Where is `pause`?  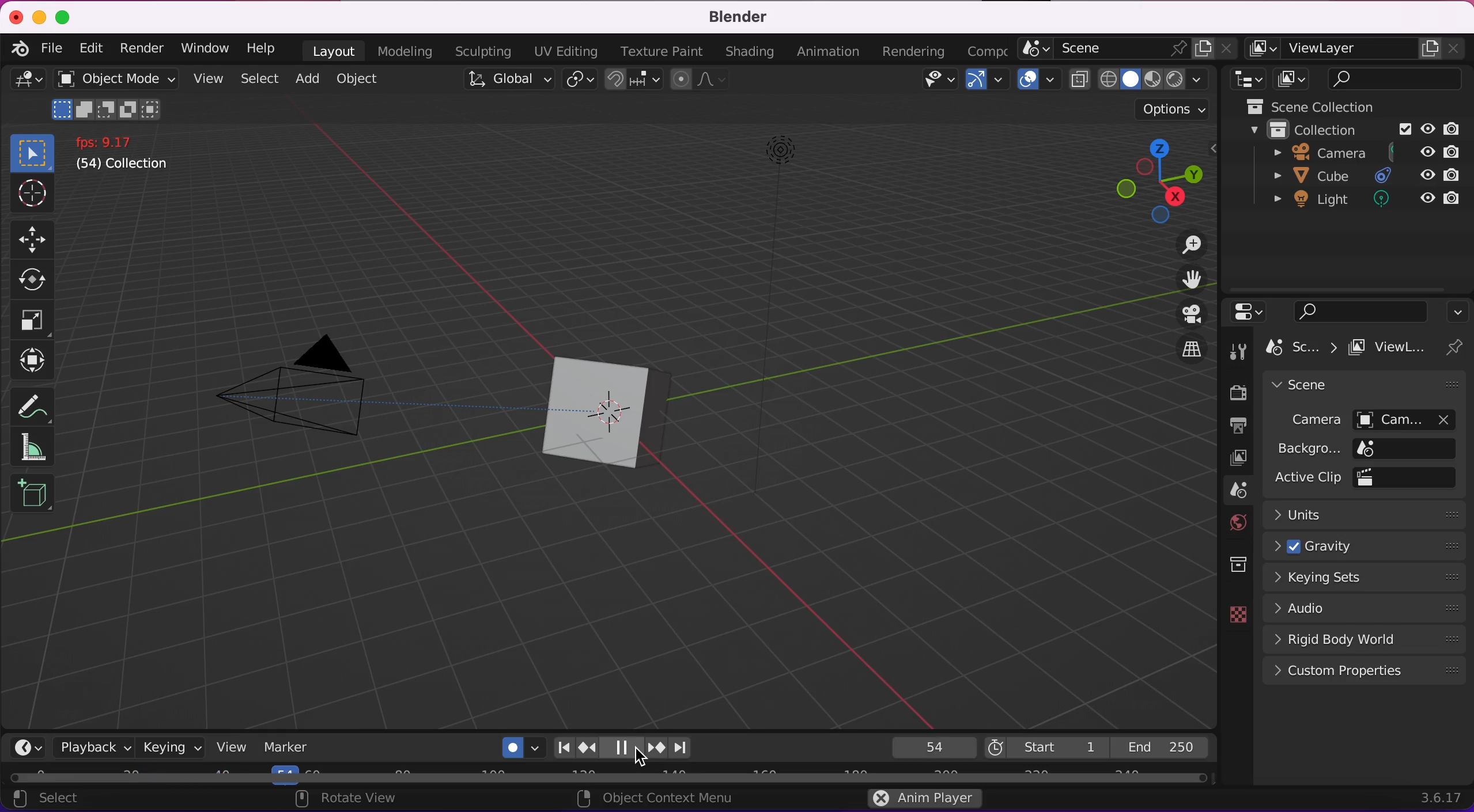
pause is located at coordinates (625, 748).